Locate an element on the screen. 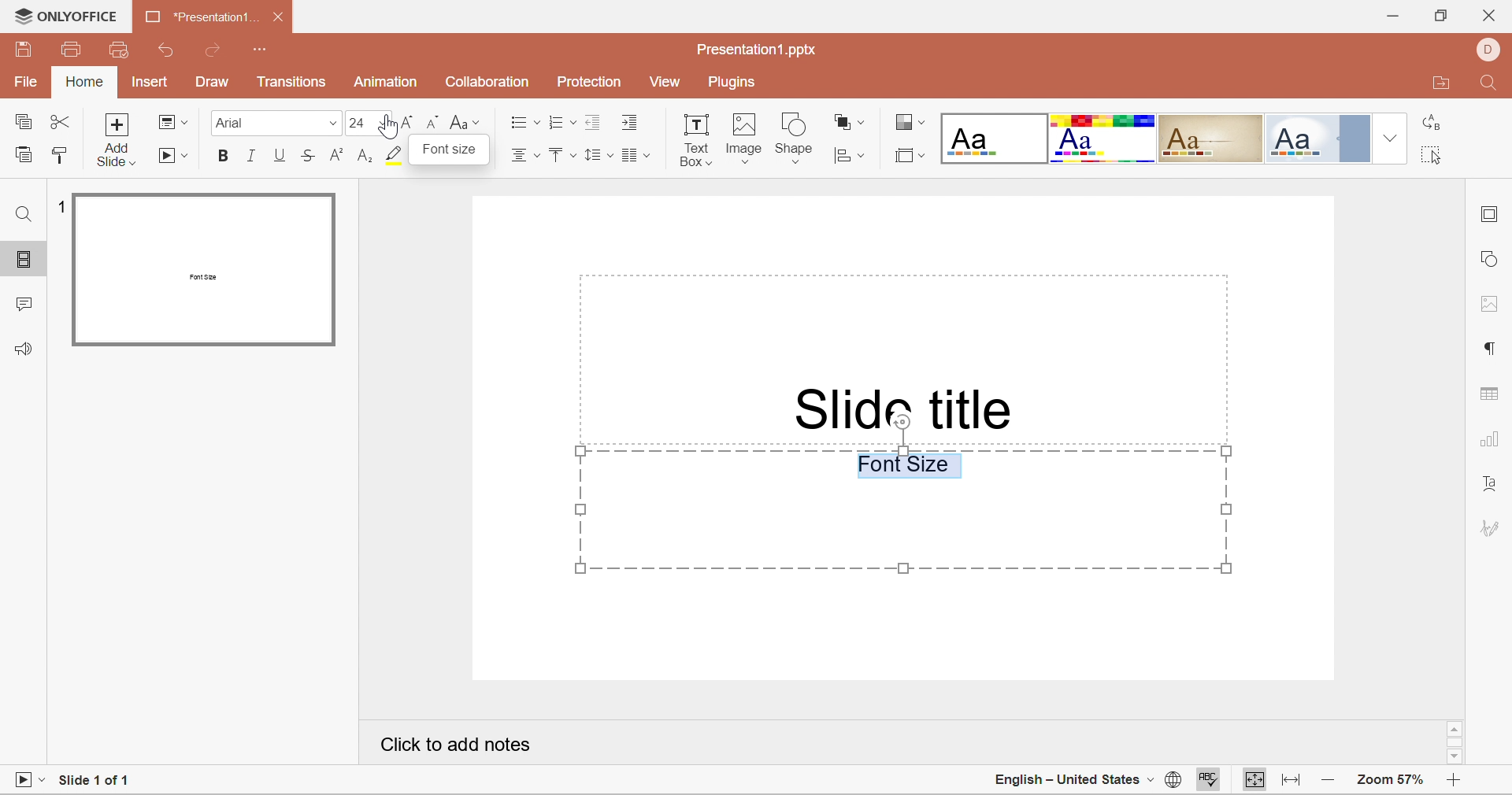 This screenshot has height=795, width=1512. image settings is located at coordinates (1491, 304).